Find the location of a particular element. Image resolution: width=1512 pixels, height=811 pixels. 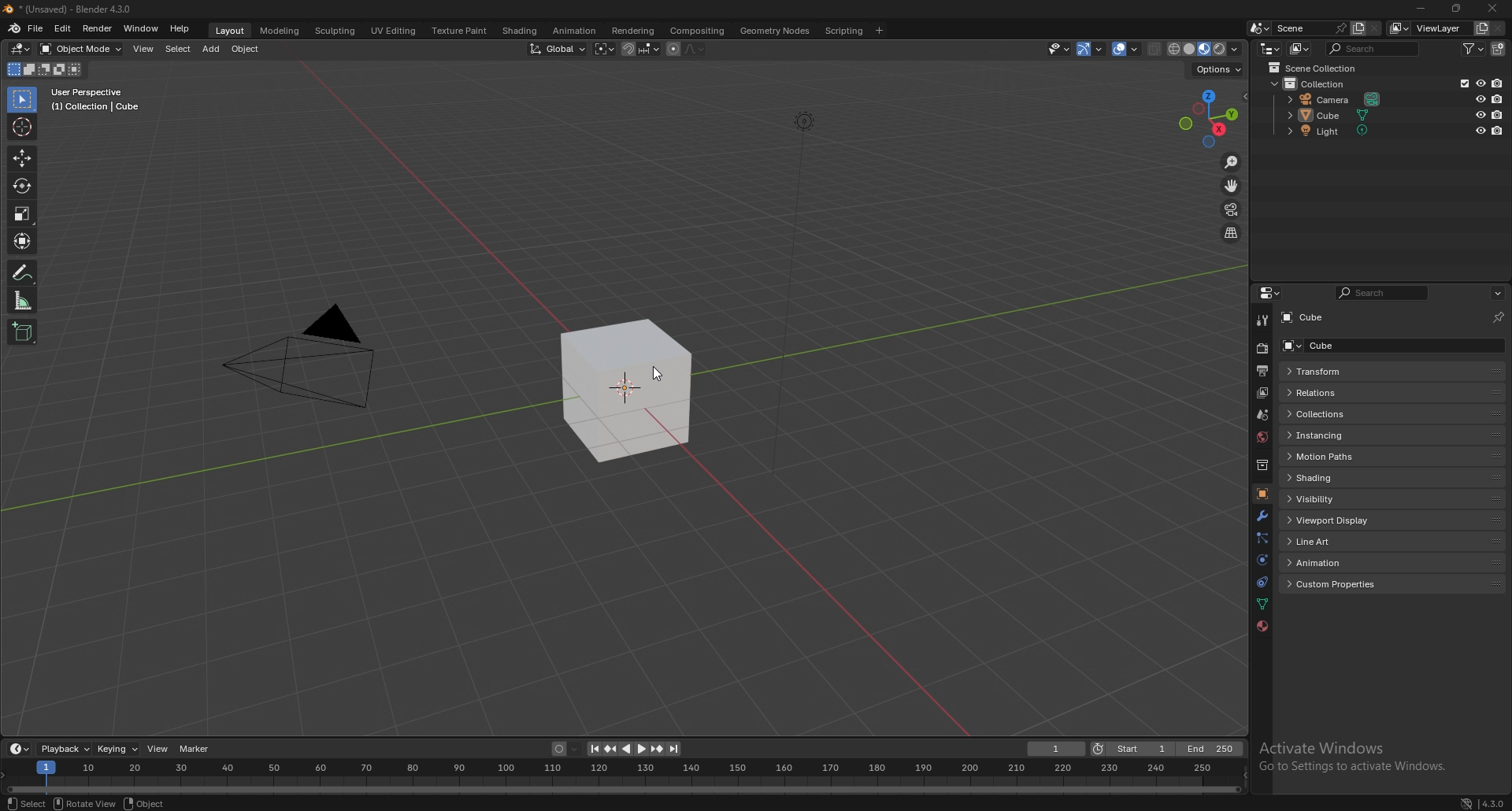

scripting is located at coordinates (843, 31).